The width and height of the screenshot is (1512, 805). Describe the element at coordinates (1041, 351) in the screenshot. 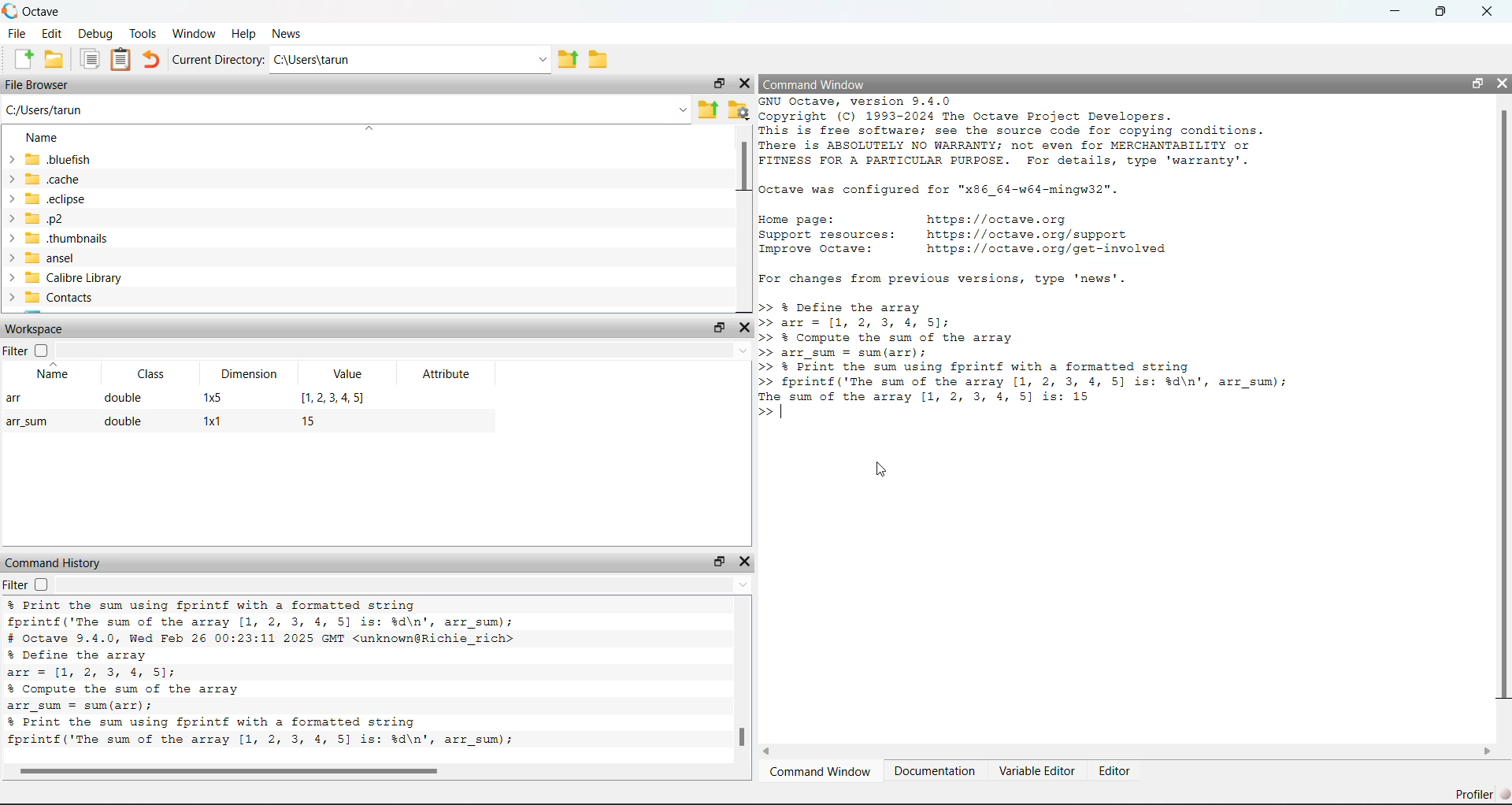

I see `>> % Define the array

>> arr = [1, 2, 3, 4 51;

>> % Compute the sum of the array

>> arr_sum = sum(arr);

>> % Print the sum using fprintf with a formatted string

>> fprintf('The sum of the array [1, 2, 3, 4, 5] is: %d\n', arr_sum);
The sum of the array [1, 2, 3, 4, 5] is: 15` at that location.